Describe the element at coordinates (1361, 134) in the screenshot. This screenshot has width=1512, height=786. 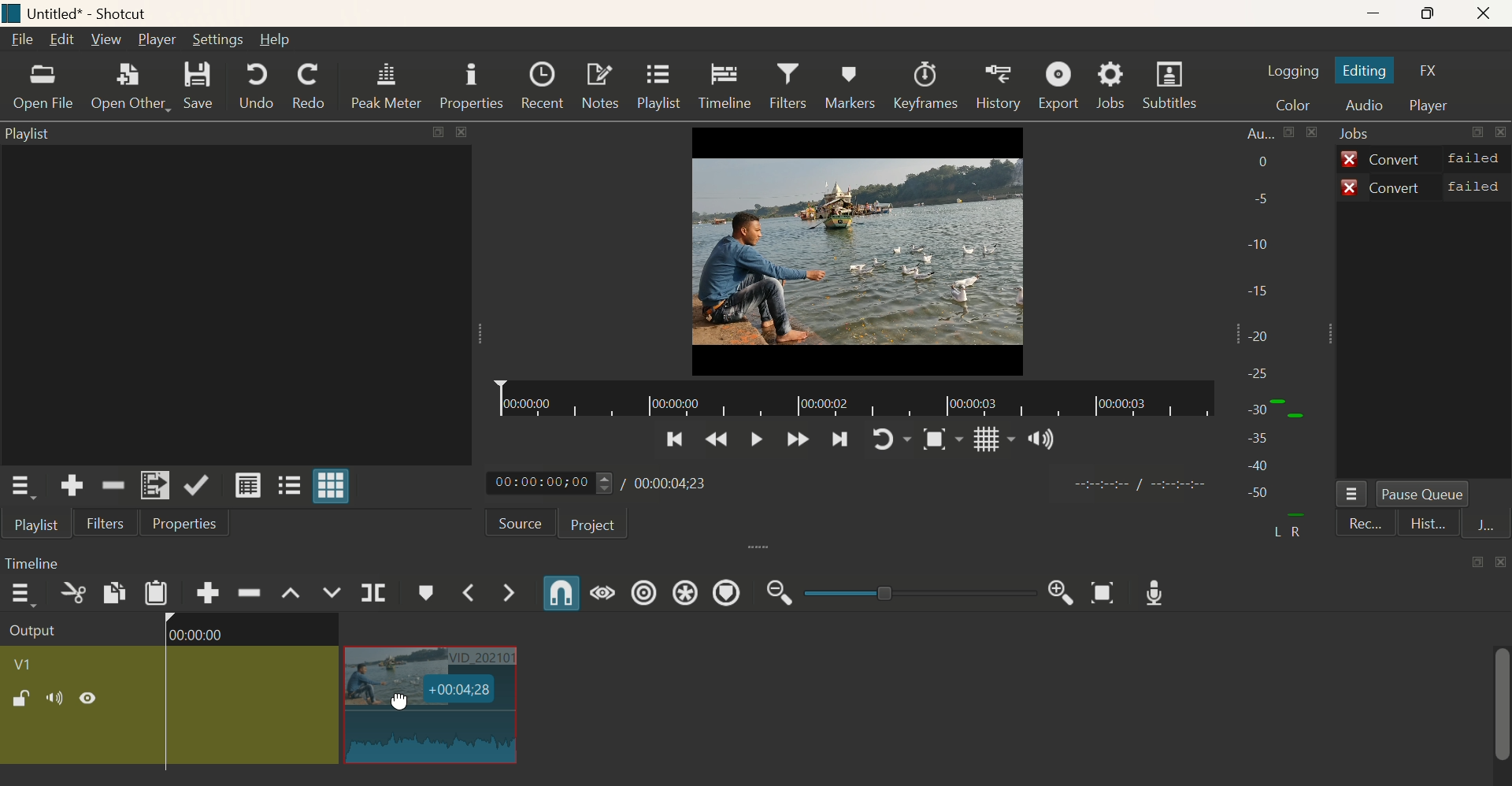
I see `Jobs` at that location.